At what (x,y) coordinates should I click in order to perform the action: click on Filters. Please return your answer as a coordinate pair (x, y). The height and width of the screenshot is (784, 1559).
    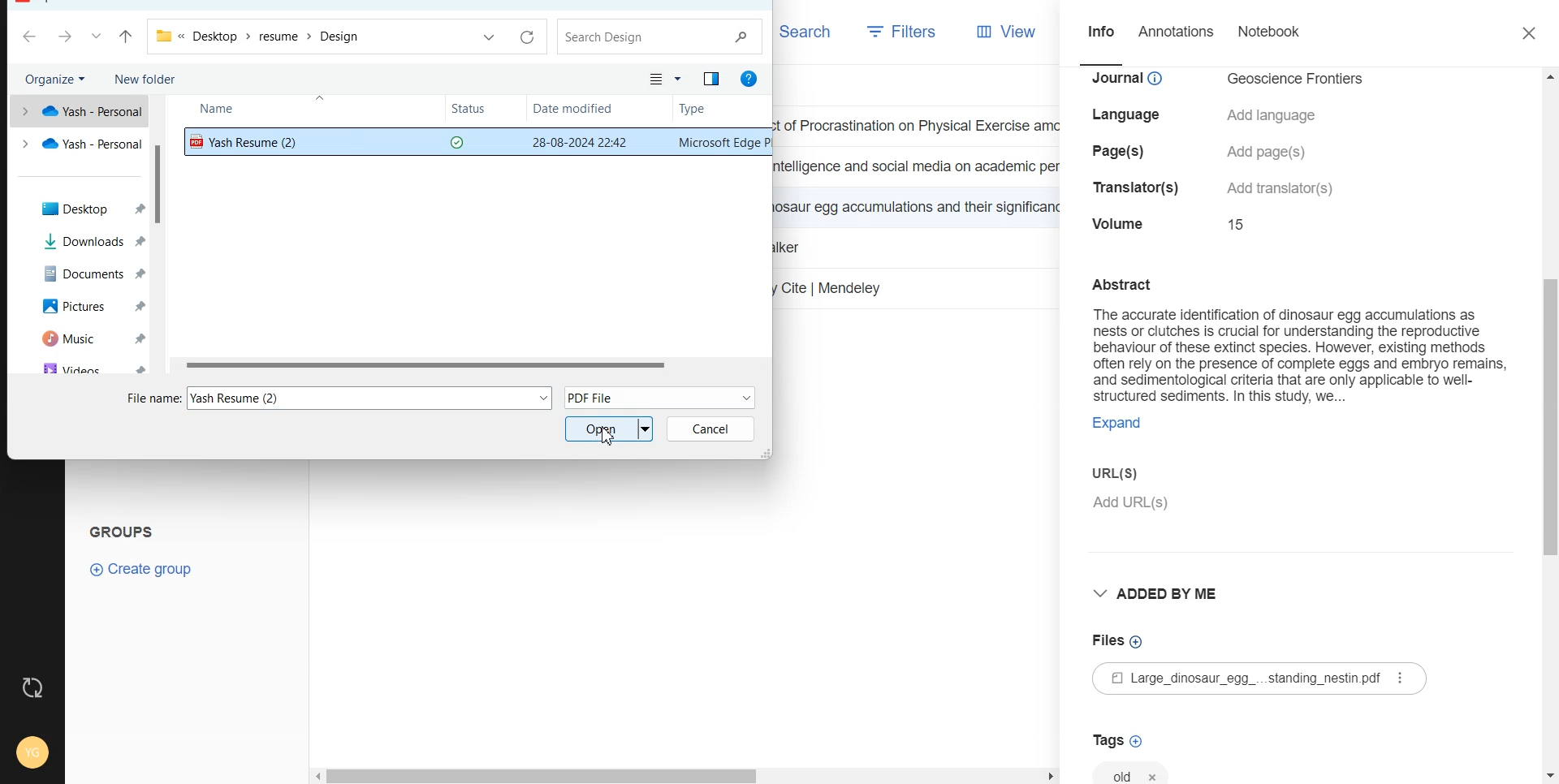
    Looking at the image, I should click on (902, 32).